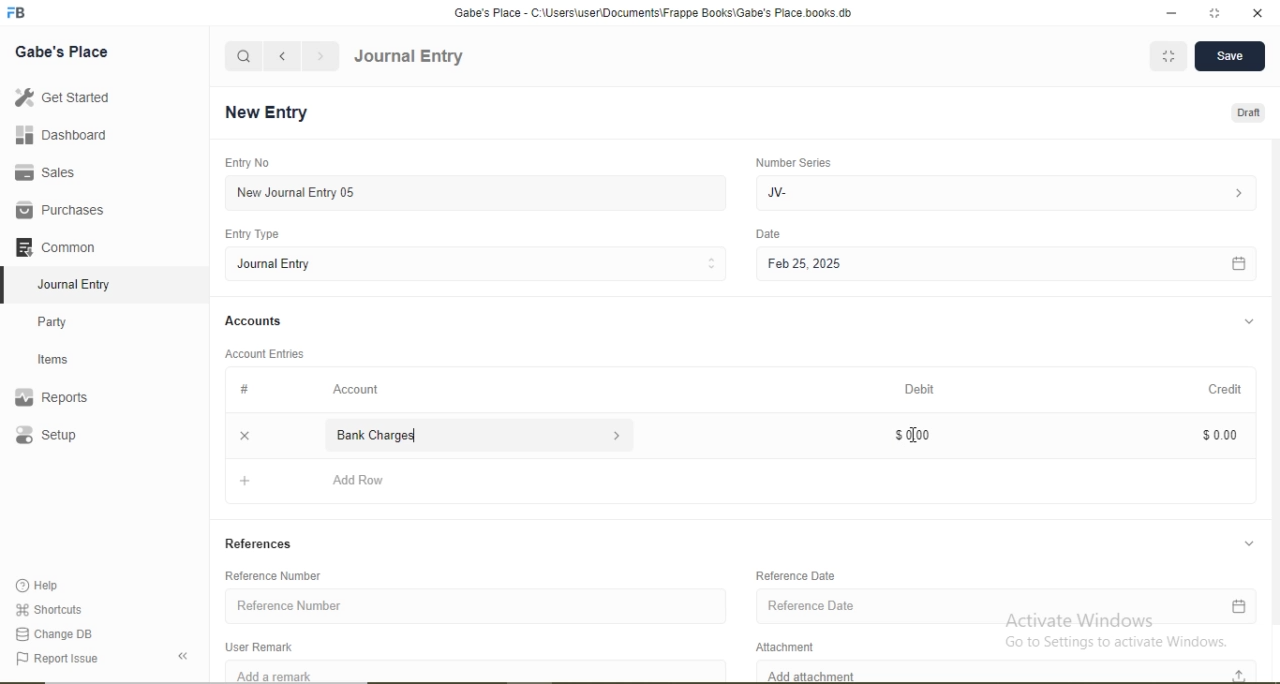  Describe the element at coordinates (476, 435) in the screenshot. I see `Bank Charges` at that location.